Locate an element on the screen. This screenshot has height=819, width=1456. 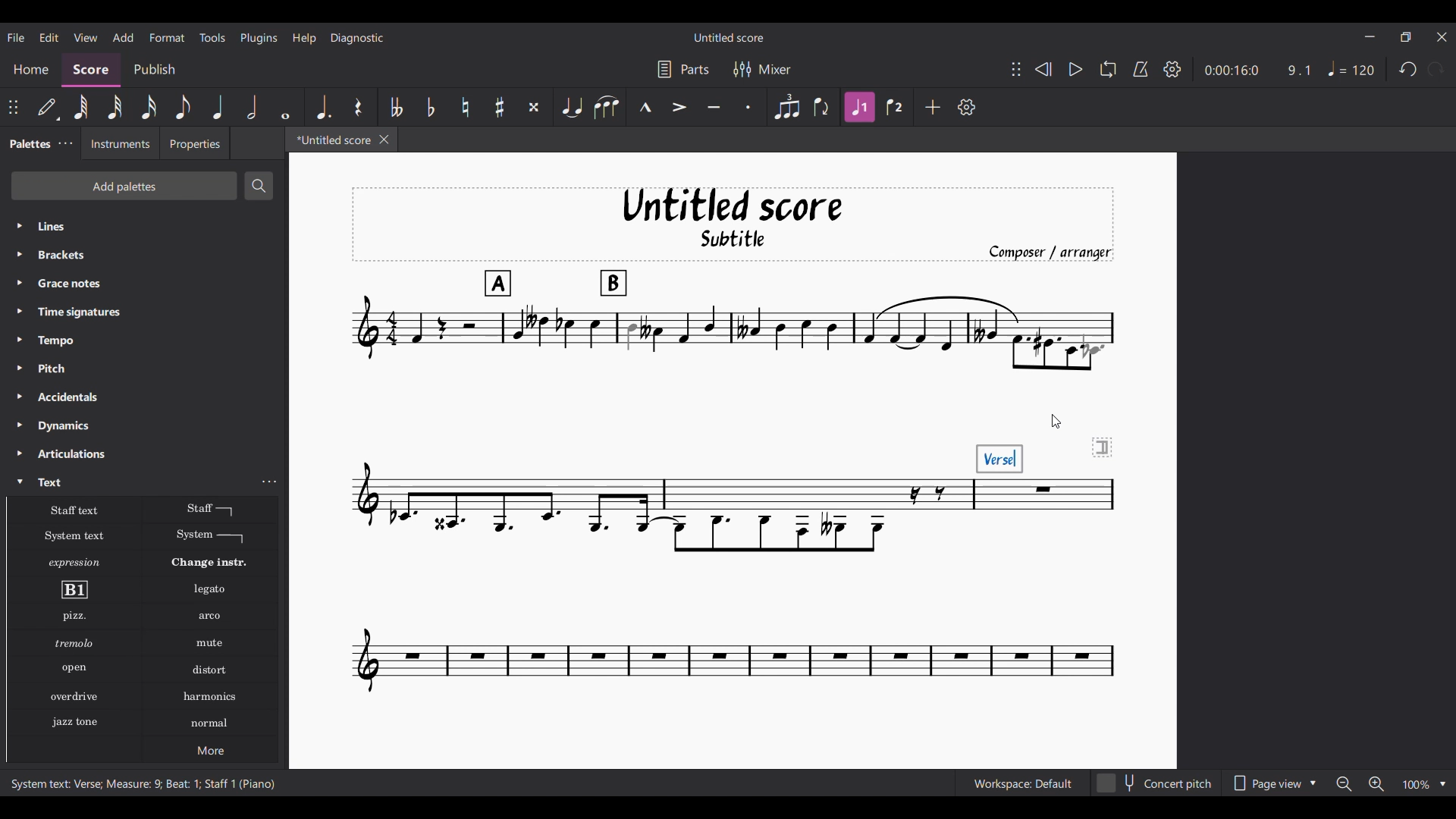
Zoom in is located at coordinates (1376, 783).